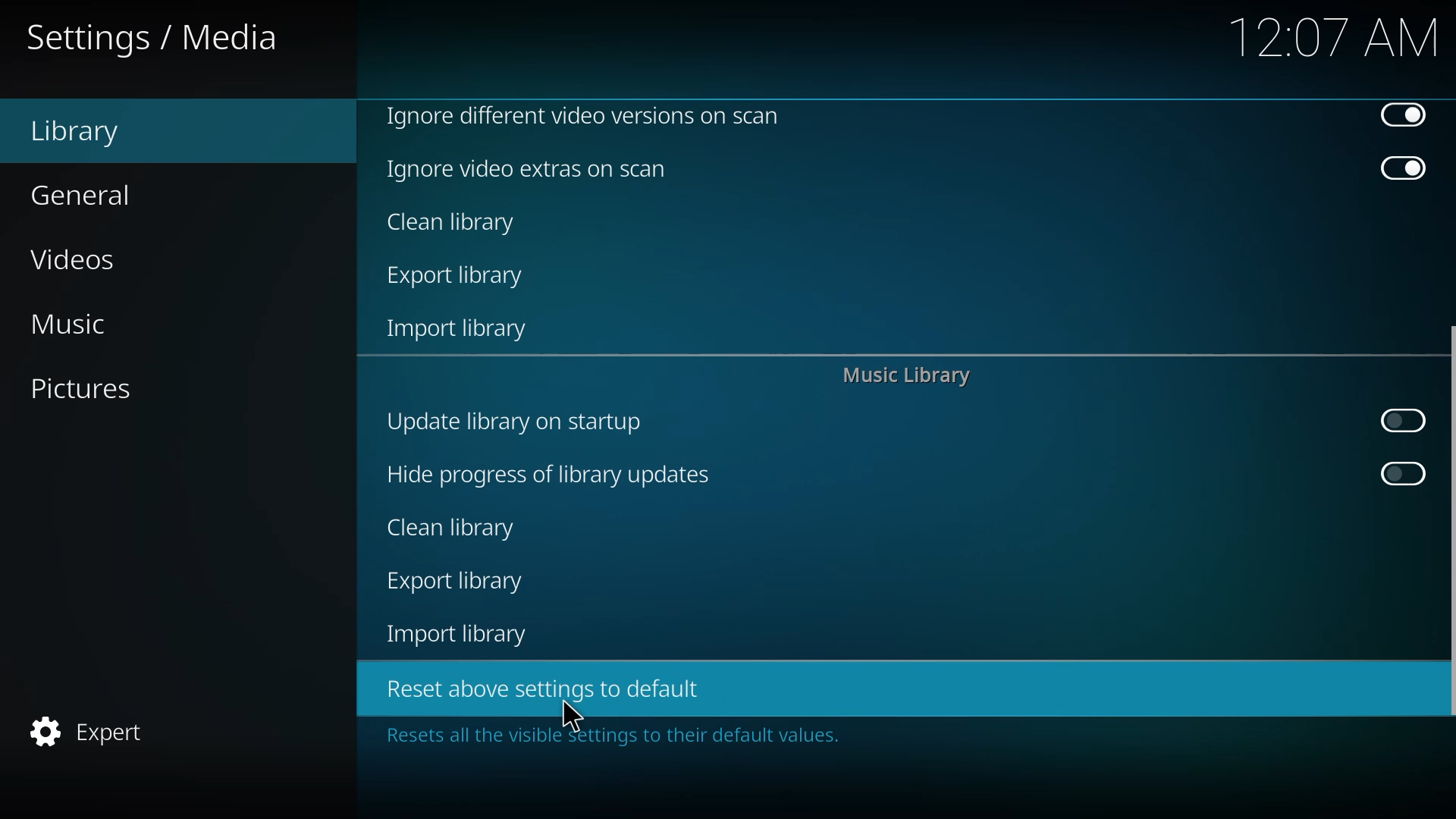 This screenshot has width=1456, height=819. What do you see at coordinates (453, 224) in the screenshot?
I see `clean` at bounding box center [453, 224].